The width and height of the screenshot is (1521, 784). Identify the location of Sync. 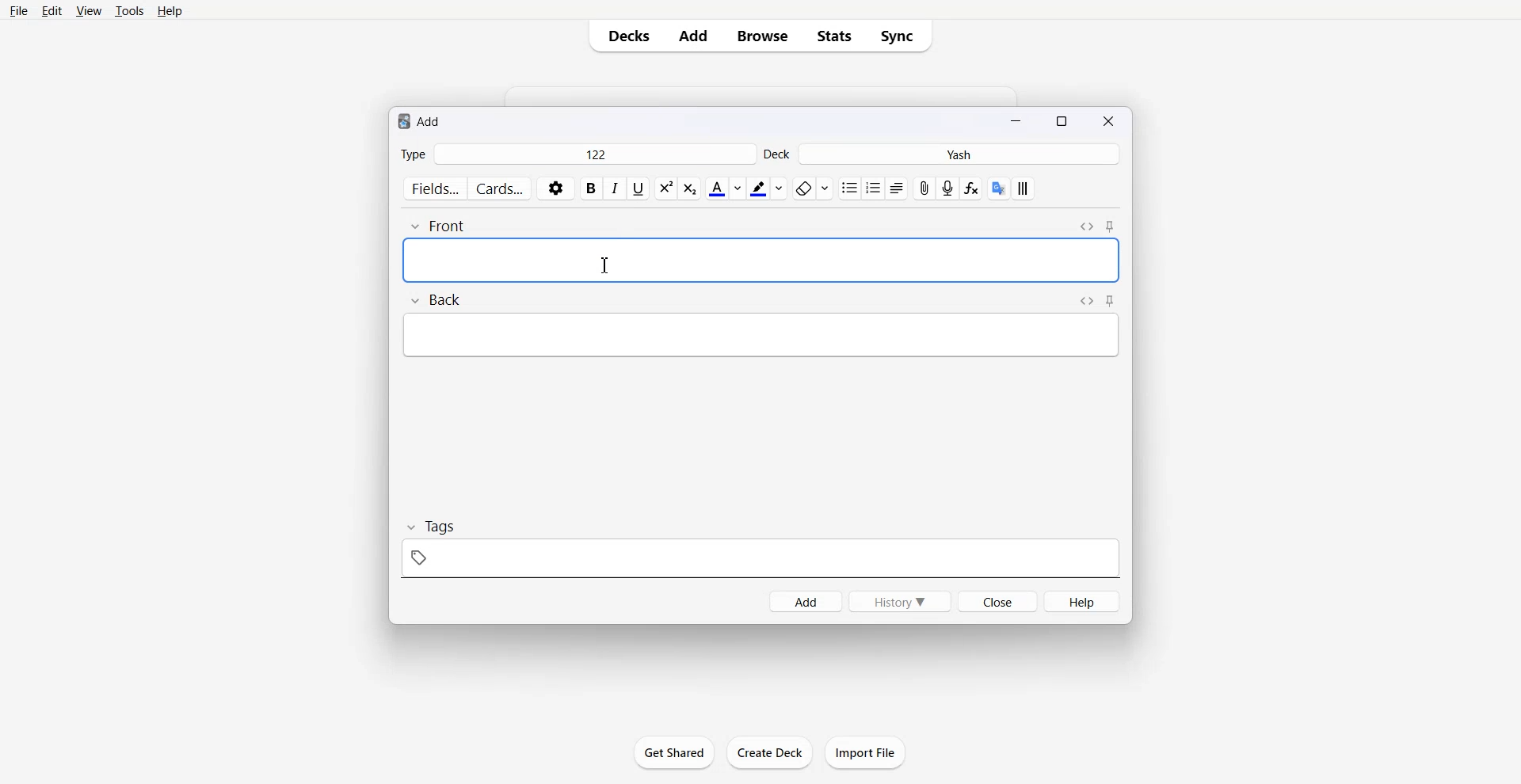
(902, 36).